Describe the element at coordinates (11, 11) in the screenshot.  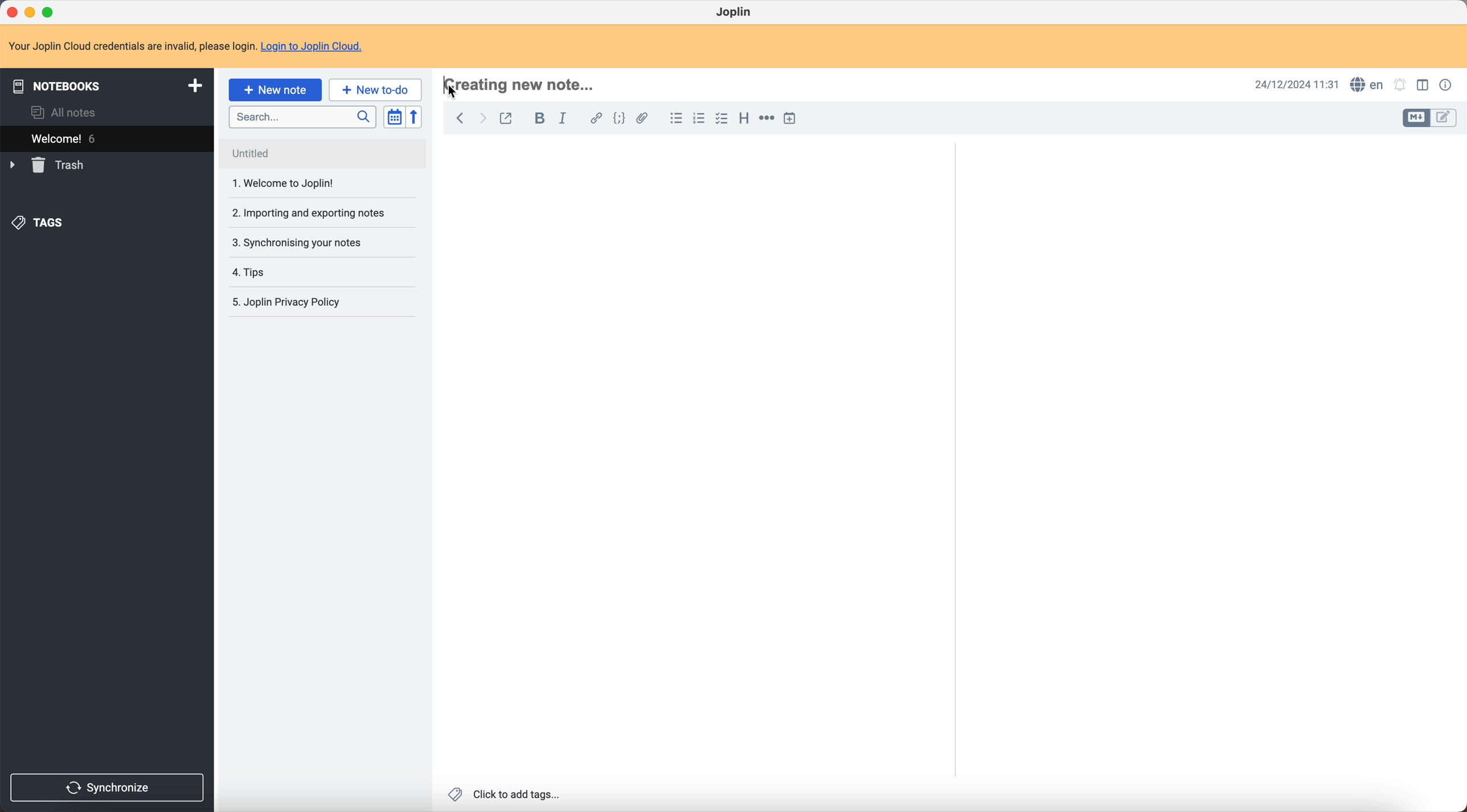
I see `close Joplin` at that location.